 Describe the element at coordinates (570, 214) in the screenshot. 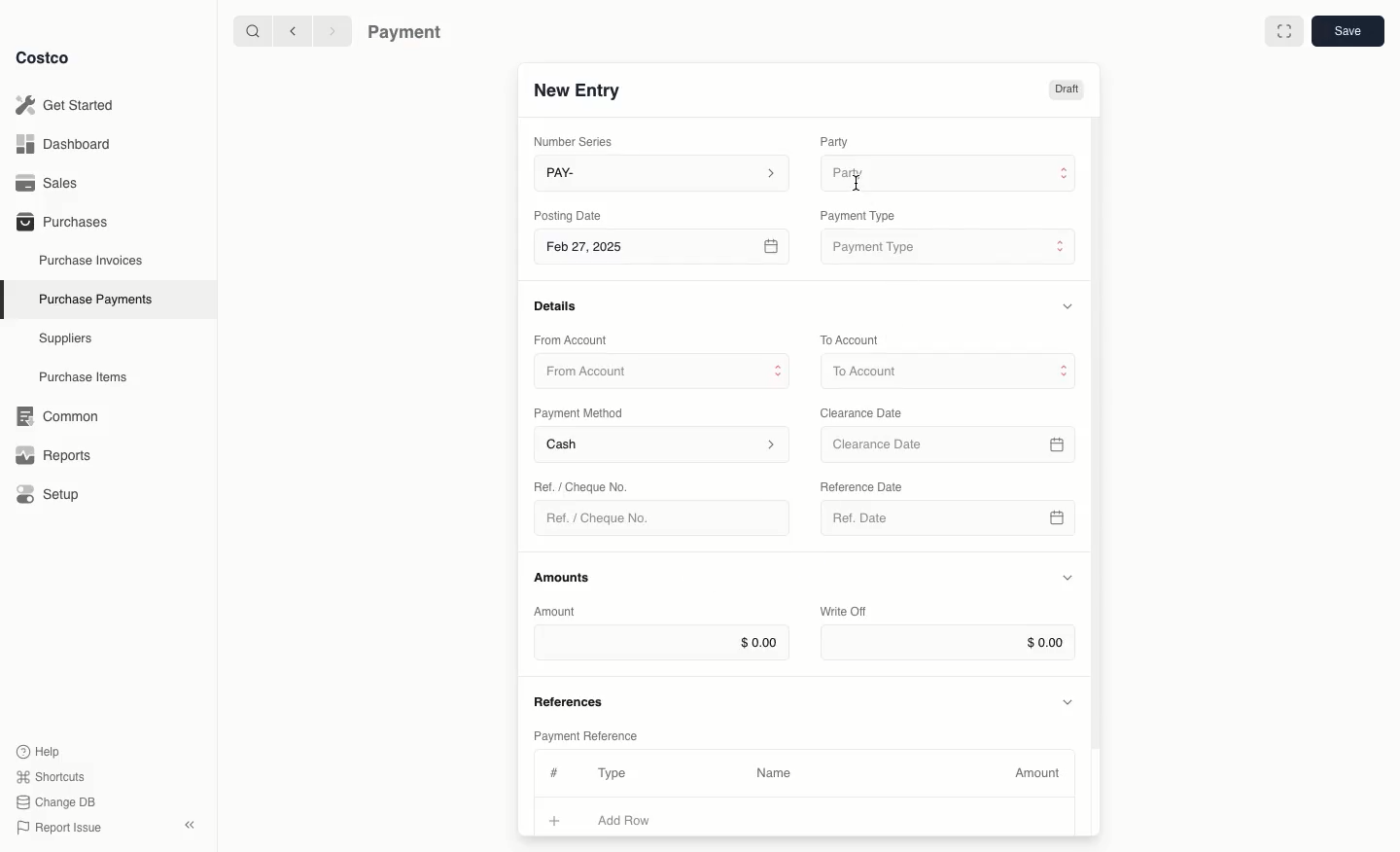

I see `Posting Date` at that location.